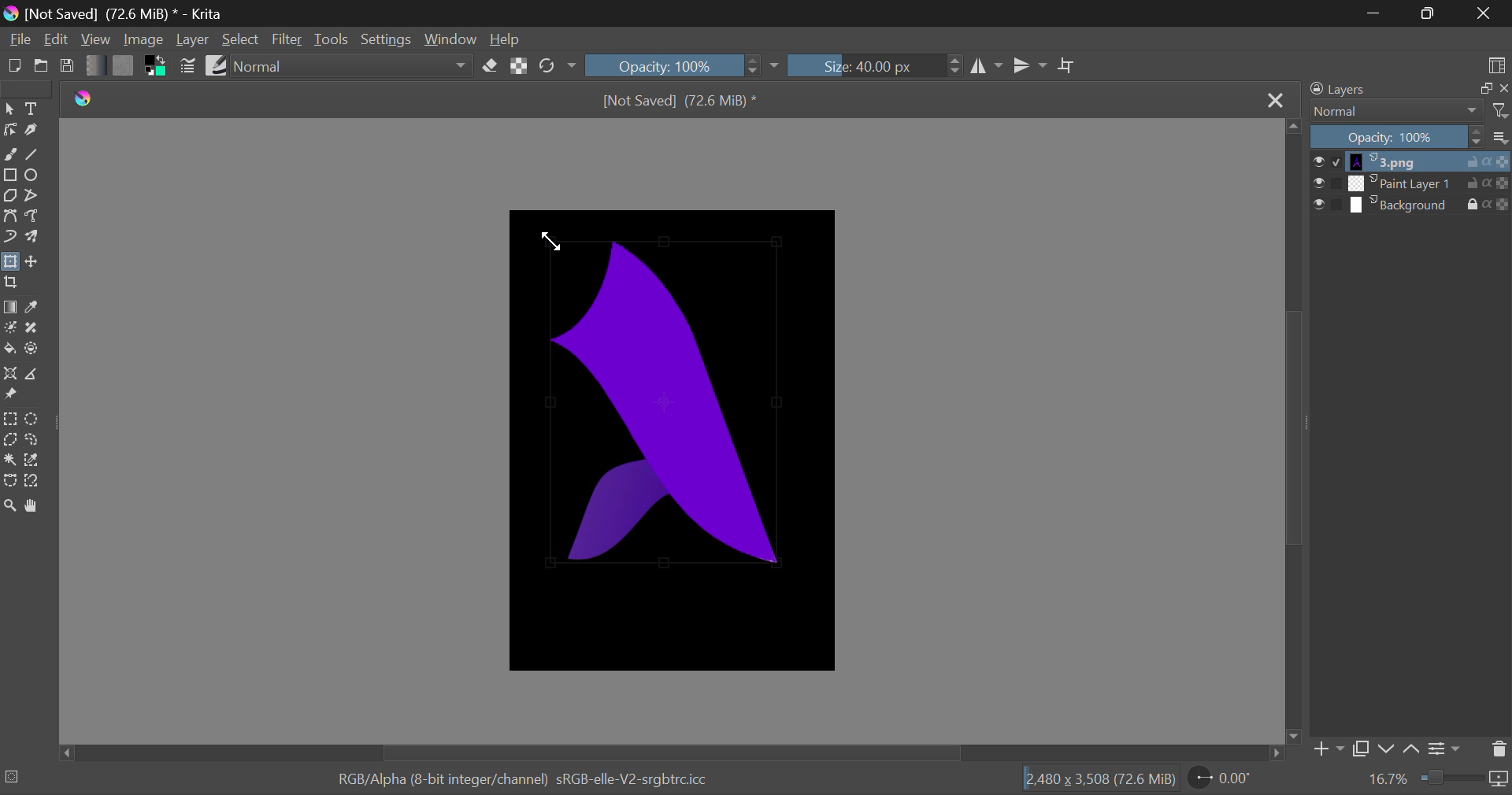  What do you see at coordinates (193, 39) in the screenshot?
I see `Layer` at bounding box center [193, 39].